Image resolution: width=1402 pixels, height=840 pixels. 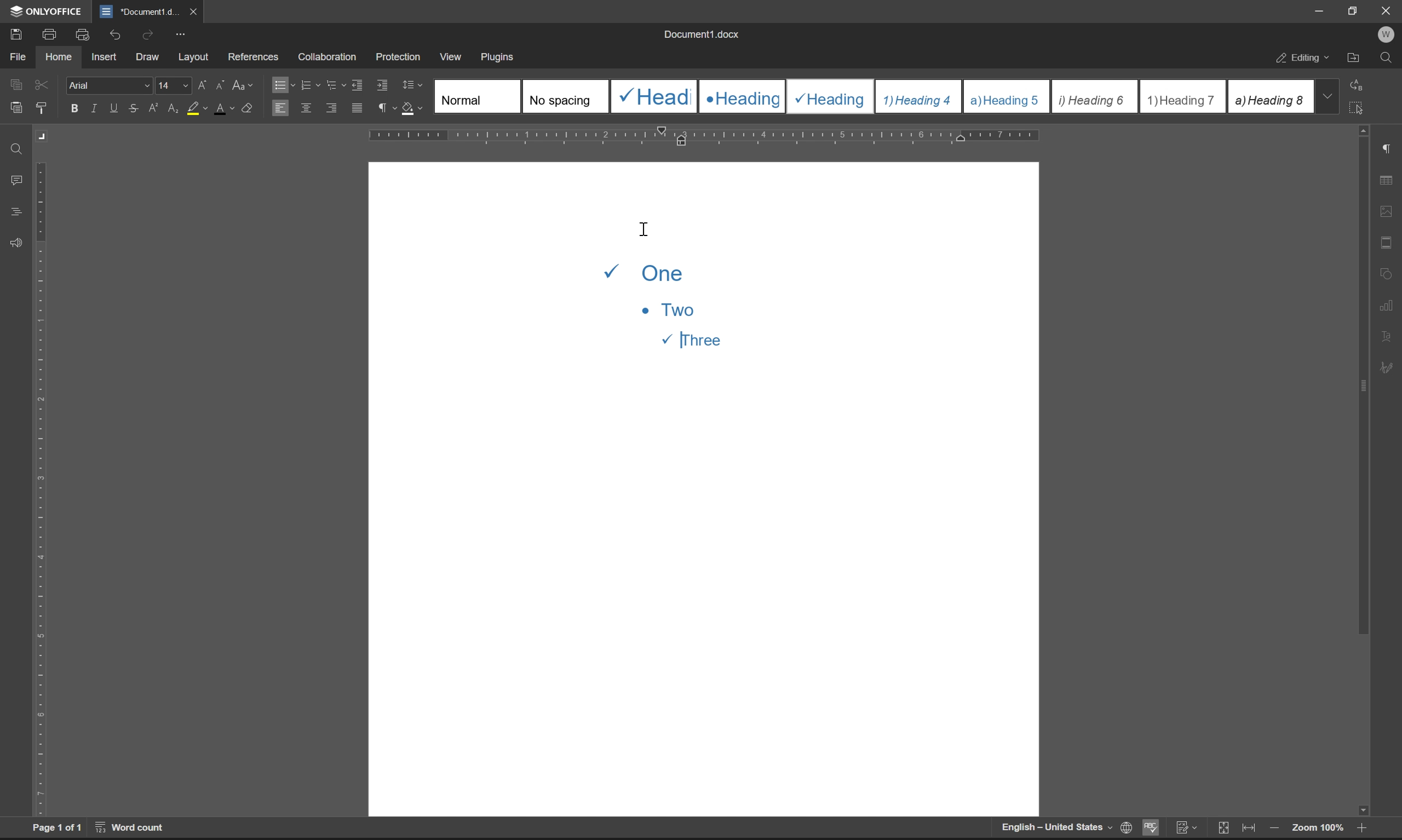 I want to click on bullets, so click(x=282, y=84).